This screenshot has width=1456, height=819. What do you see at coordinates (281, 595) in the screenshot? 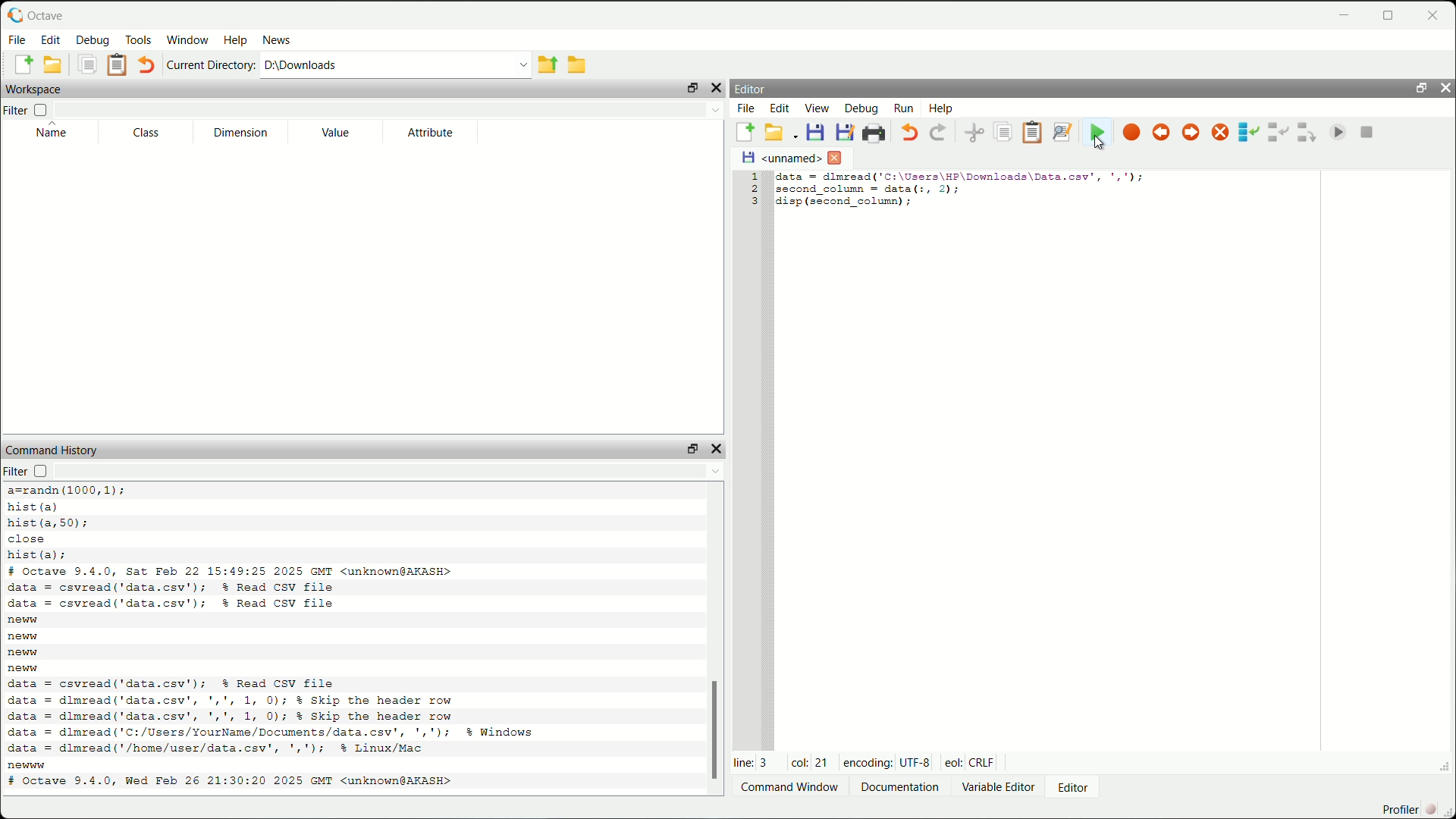
I see `code to read csv` at bounding box center [281, 595].